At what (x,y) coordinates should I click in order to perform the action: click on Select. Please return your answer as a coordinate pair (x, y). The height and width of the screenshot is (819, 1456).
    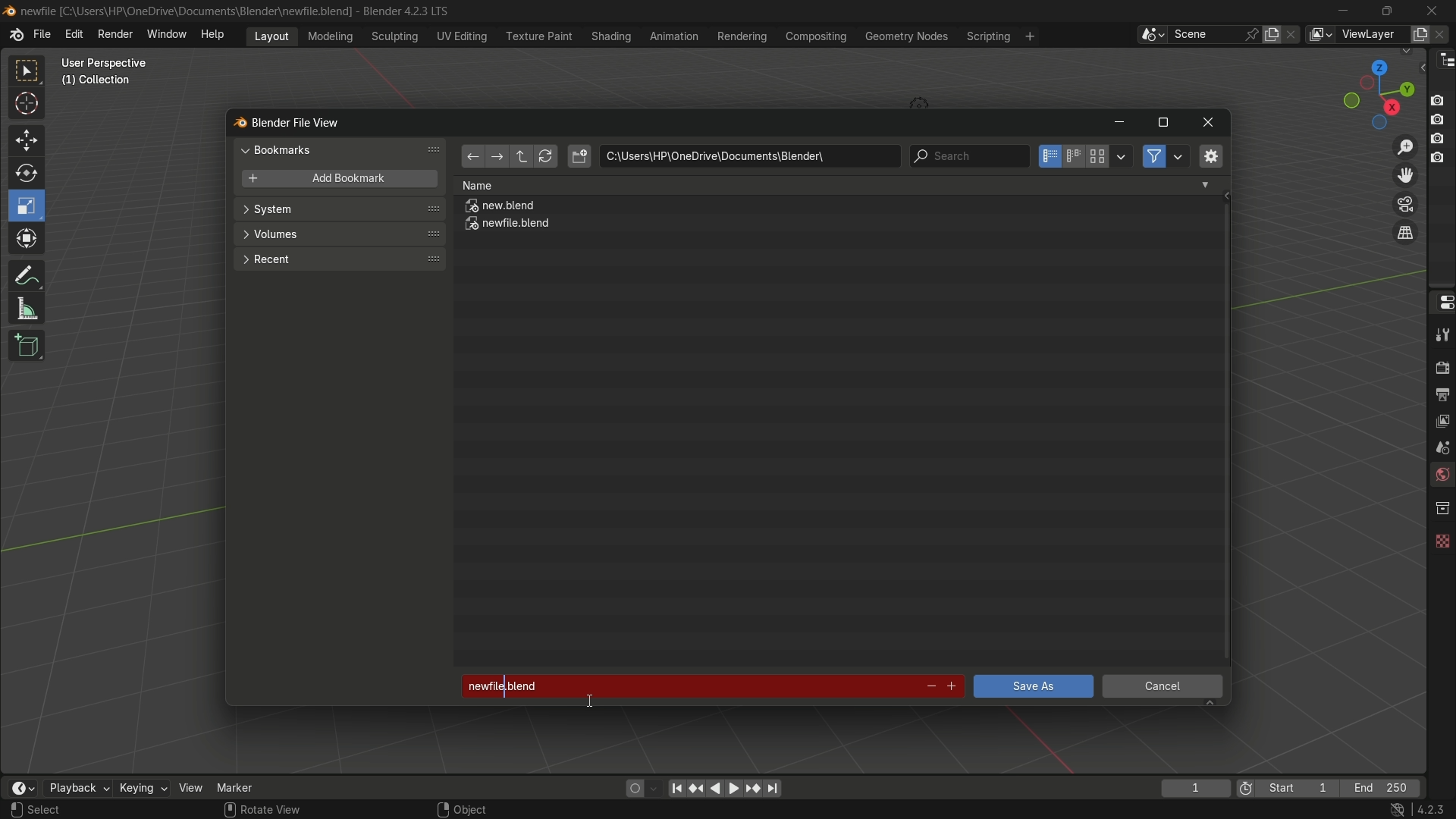
    Looking at the image, I should click on (63, 810).